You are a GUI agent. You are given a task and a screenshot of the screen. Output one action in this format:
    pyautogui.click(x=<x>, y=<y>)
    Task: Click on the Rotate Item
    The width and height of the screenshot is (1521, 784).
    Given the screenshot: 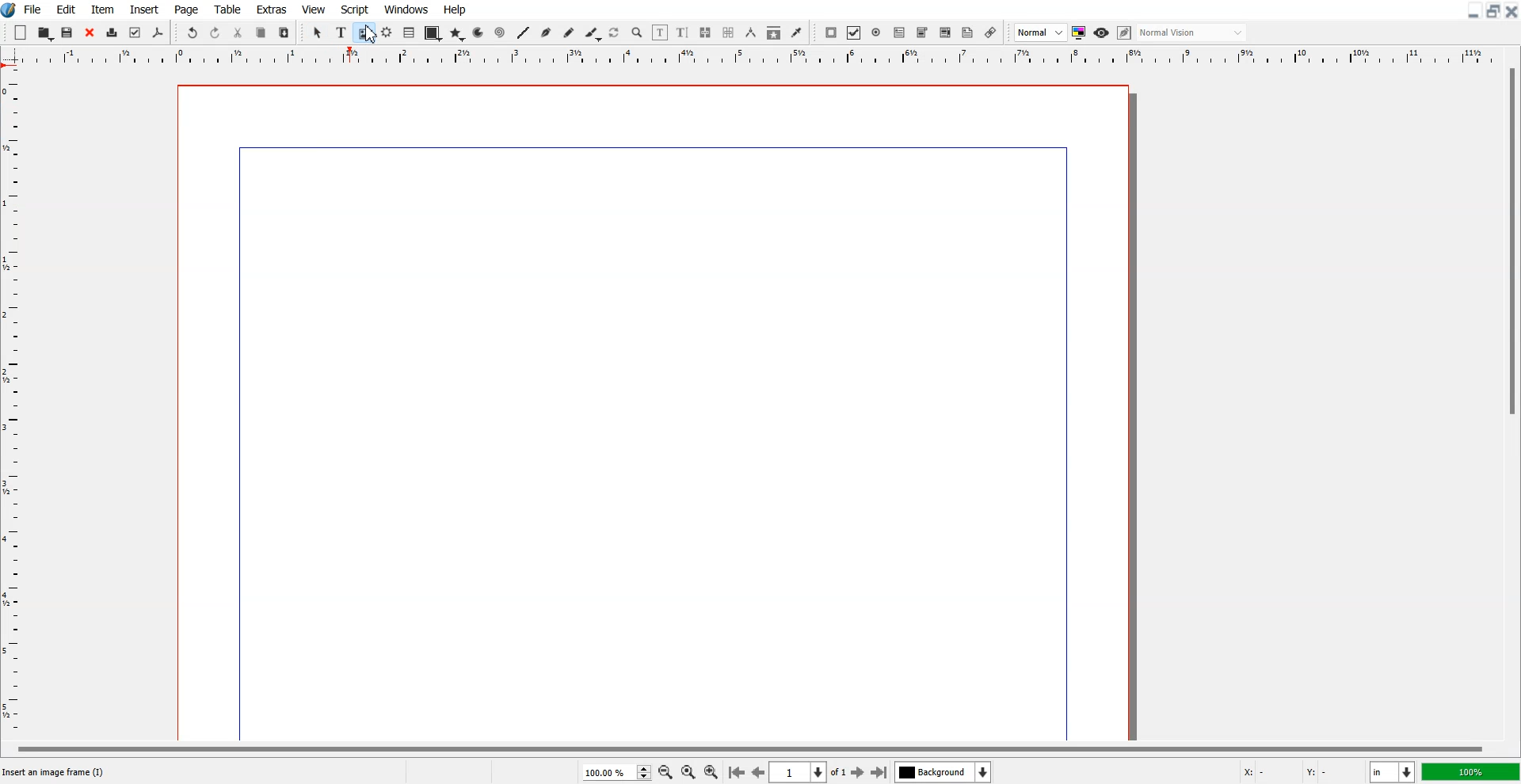 What is the action you would take?
    pyautogui.click(x=615, y=33)
    